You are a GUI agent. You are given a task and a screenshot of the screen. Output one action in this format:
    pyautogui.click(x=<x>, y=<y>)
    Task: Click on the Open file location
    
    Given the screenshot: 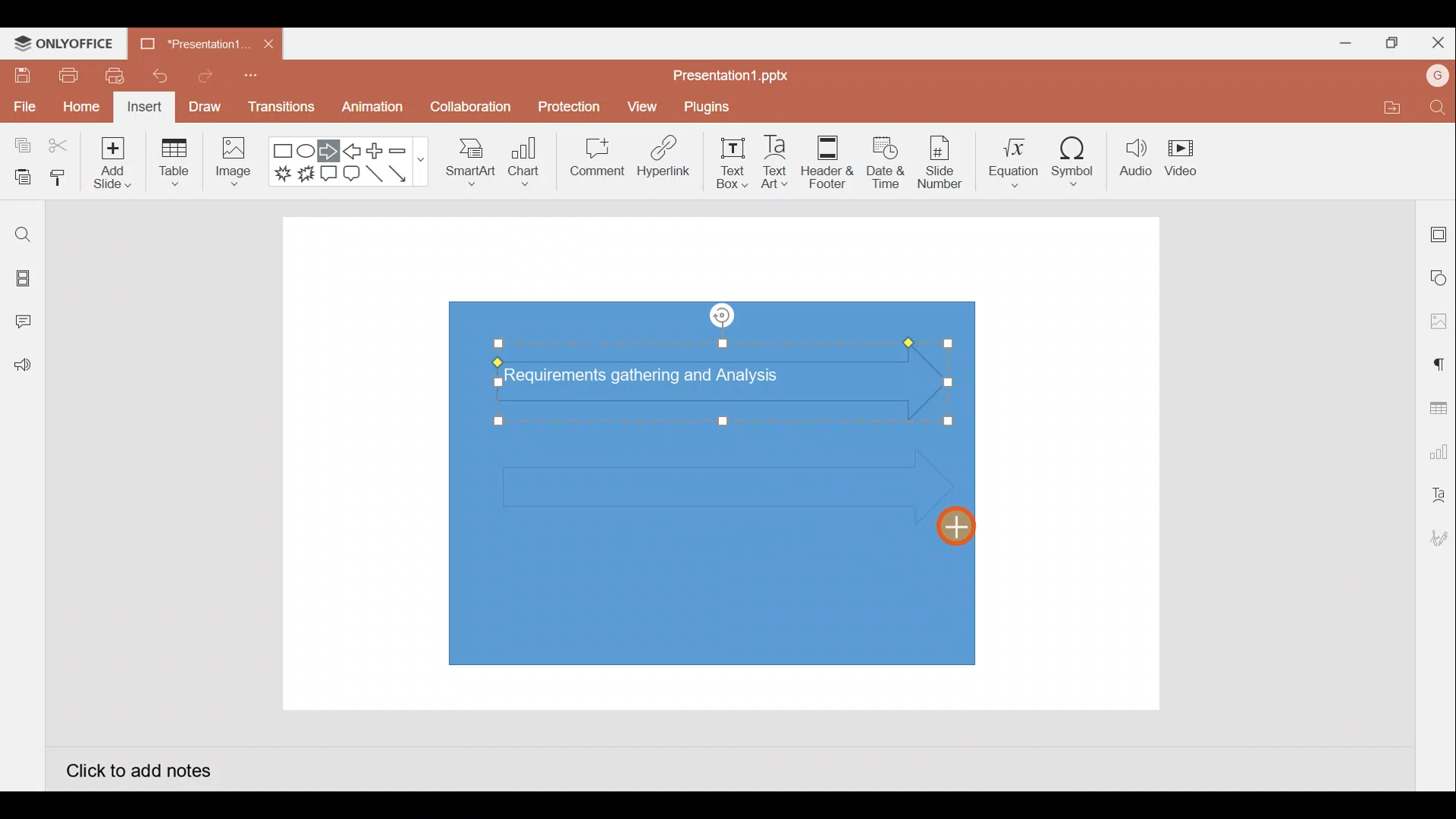 What is the action you would take?
    pyautogui.click(x=1389, y=107)
    